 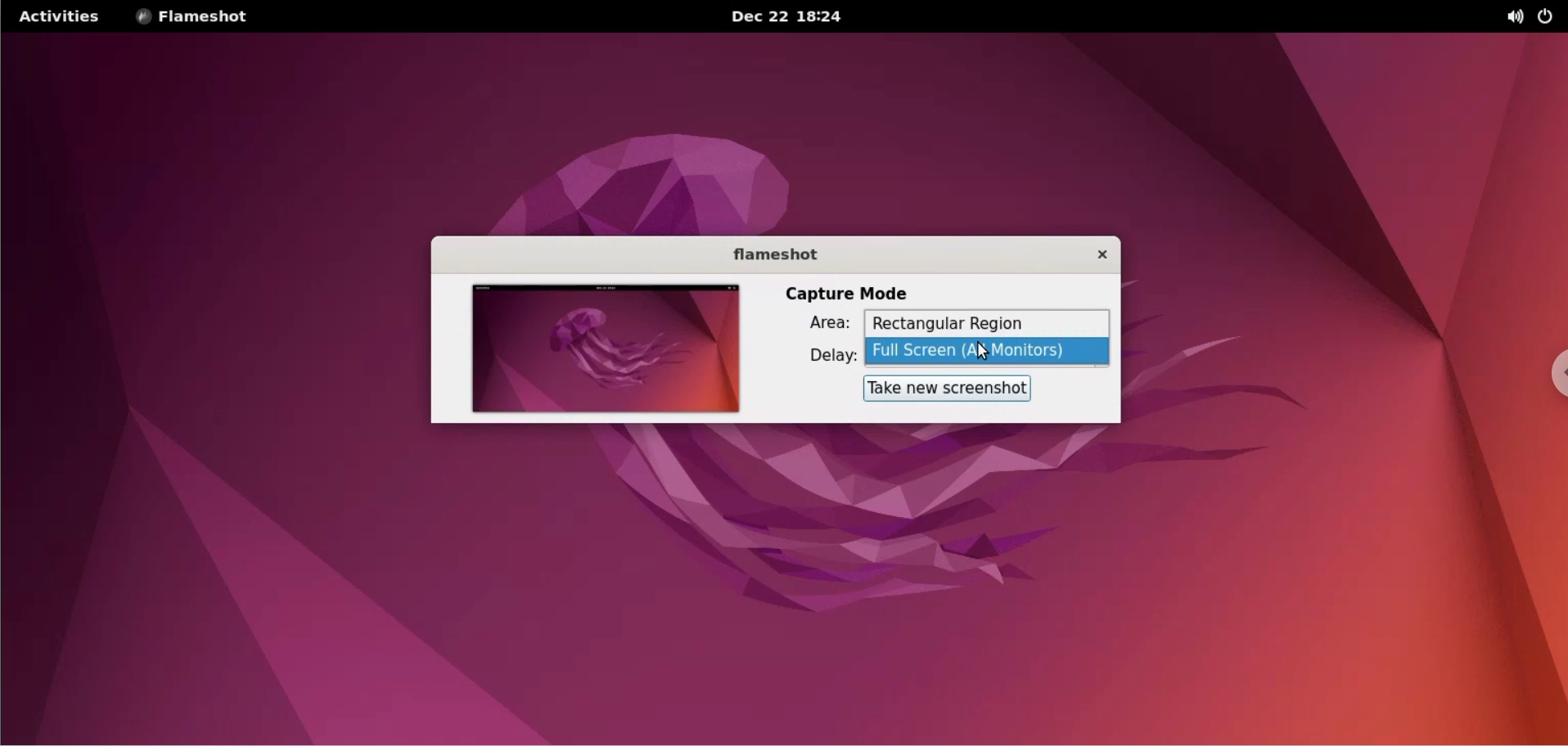 I want to click on flameshot , so click(x=767, y=253).